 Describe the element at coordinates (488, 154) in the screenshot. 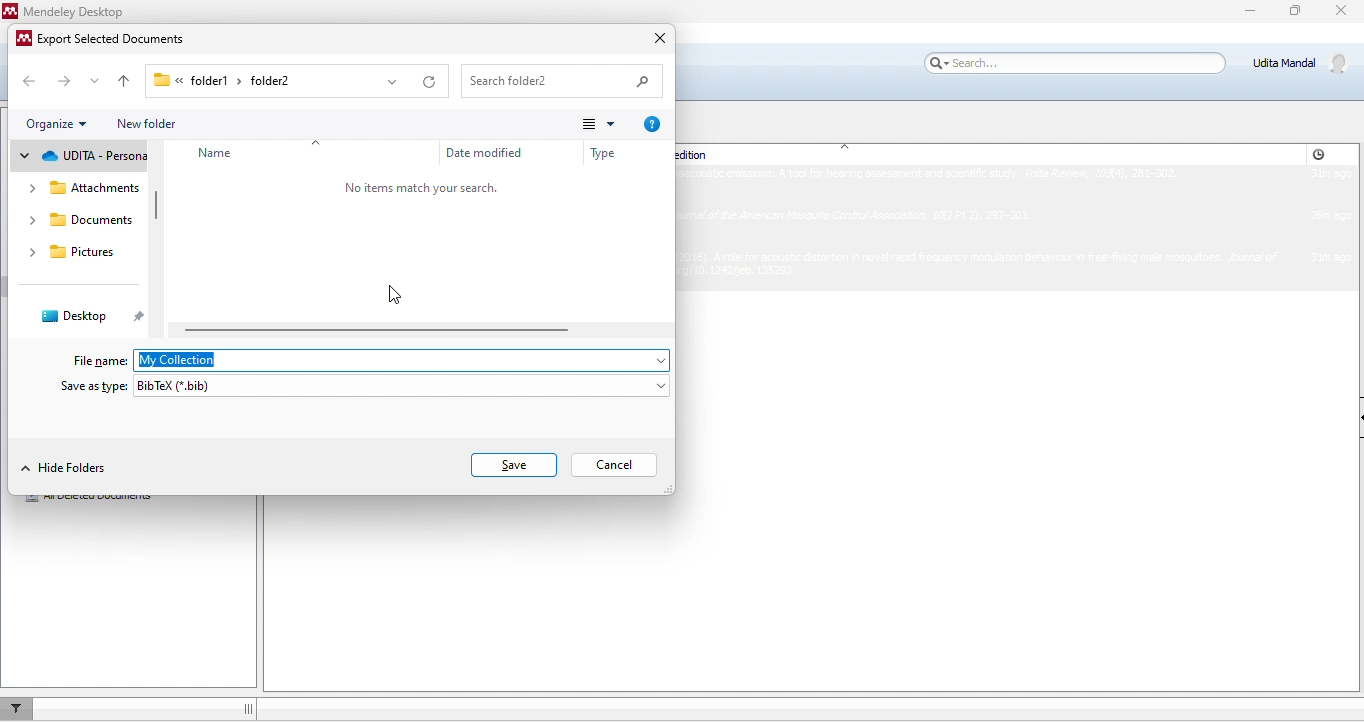

I see `date modified` at that location.